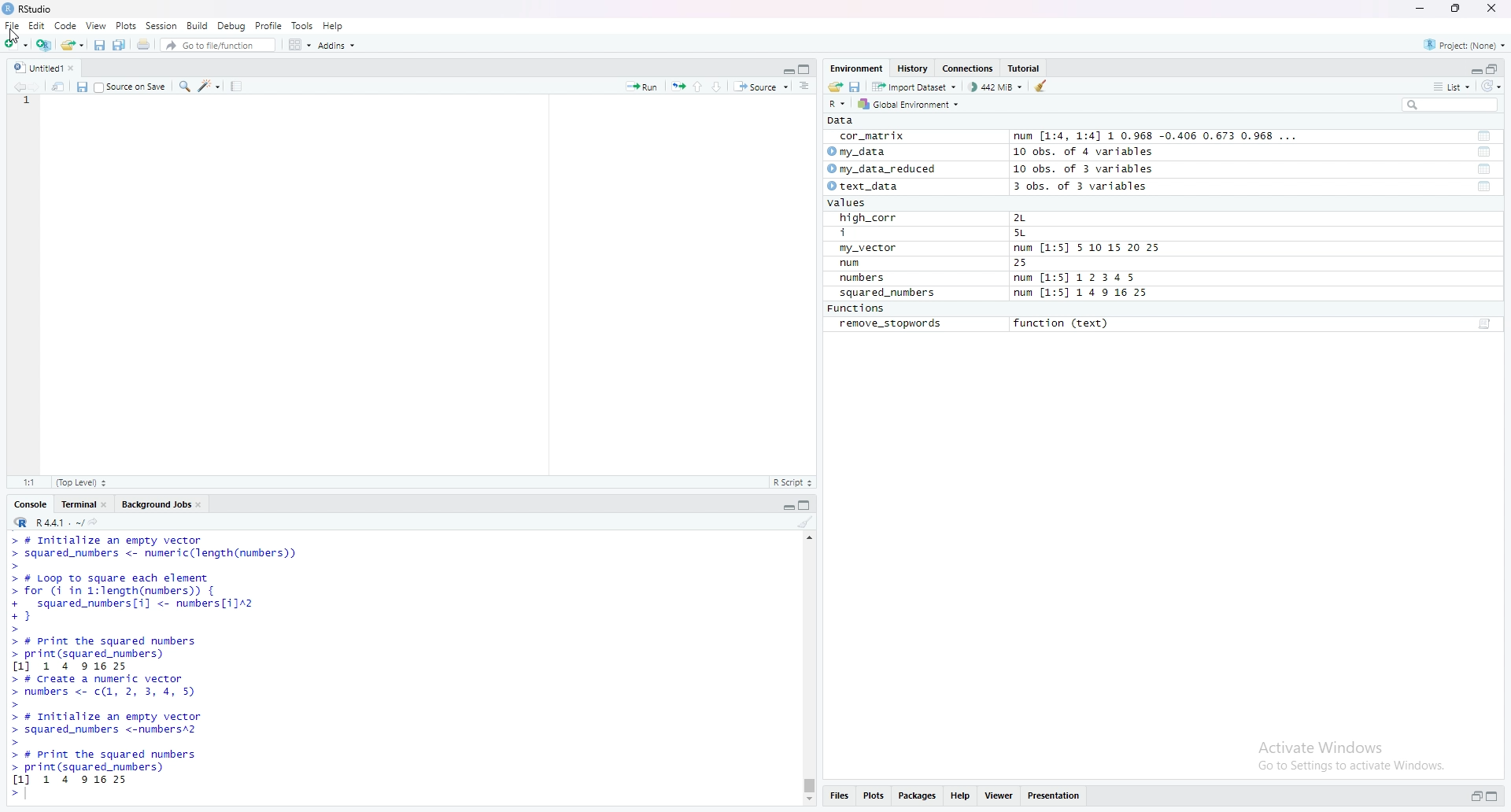 This screenshot has height=812, width=1511. I want to click on re-run the previoud code region, so click(678, 87).